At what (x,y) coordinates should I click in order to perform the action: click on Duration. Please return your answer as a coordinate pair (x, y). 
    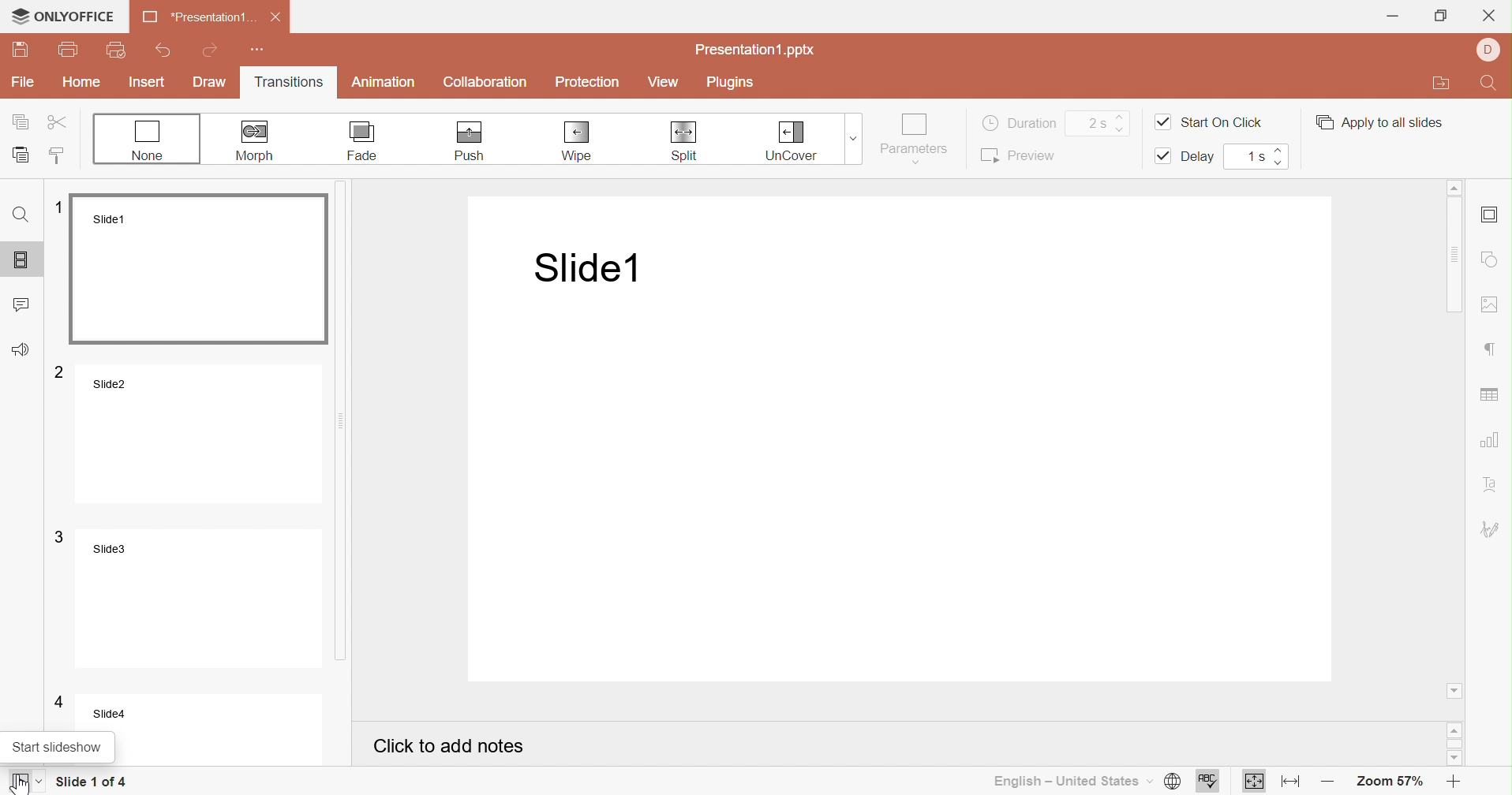
    Looking at the image, I should click on (1019, 121).